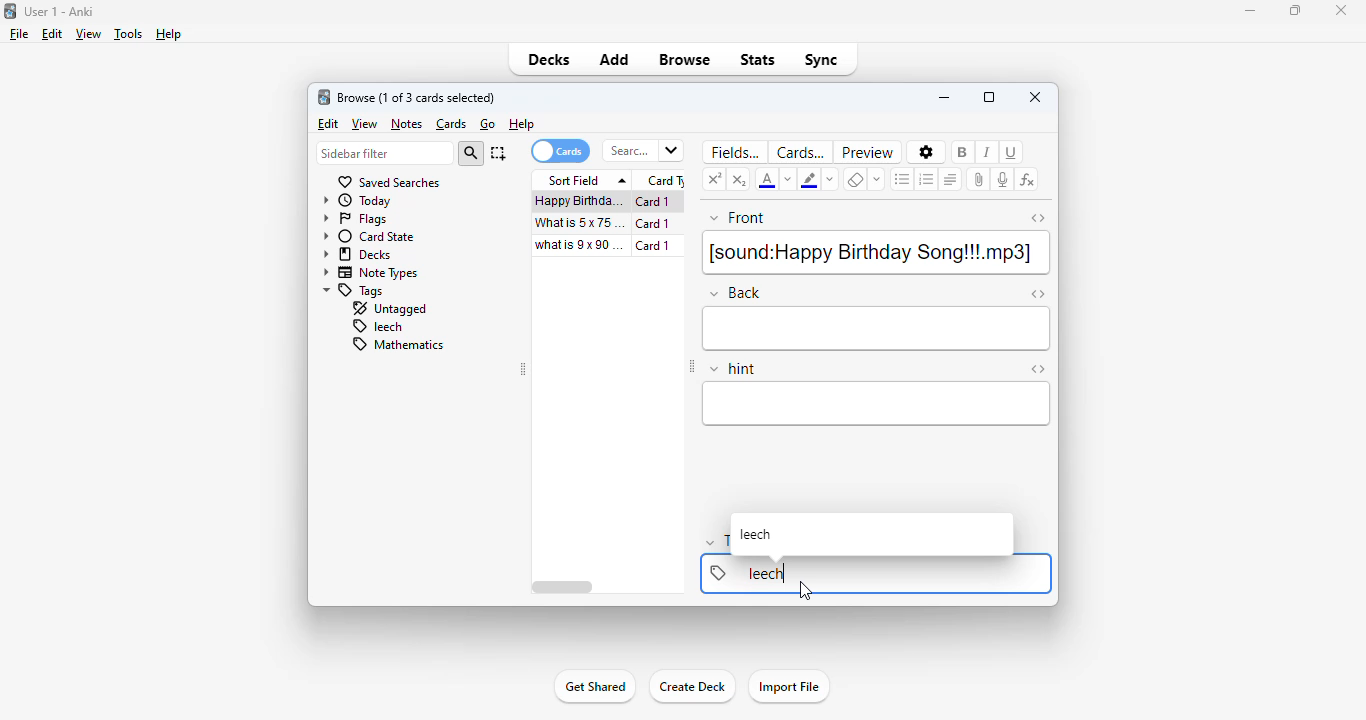 This screenshot has width=1366, height=720. What do you see at coordinates (1037, 218) in the screenshot?
I see `toggle HTML editor` at bounding box center [1037, 218].